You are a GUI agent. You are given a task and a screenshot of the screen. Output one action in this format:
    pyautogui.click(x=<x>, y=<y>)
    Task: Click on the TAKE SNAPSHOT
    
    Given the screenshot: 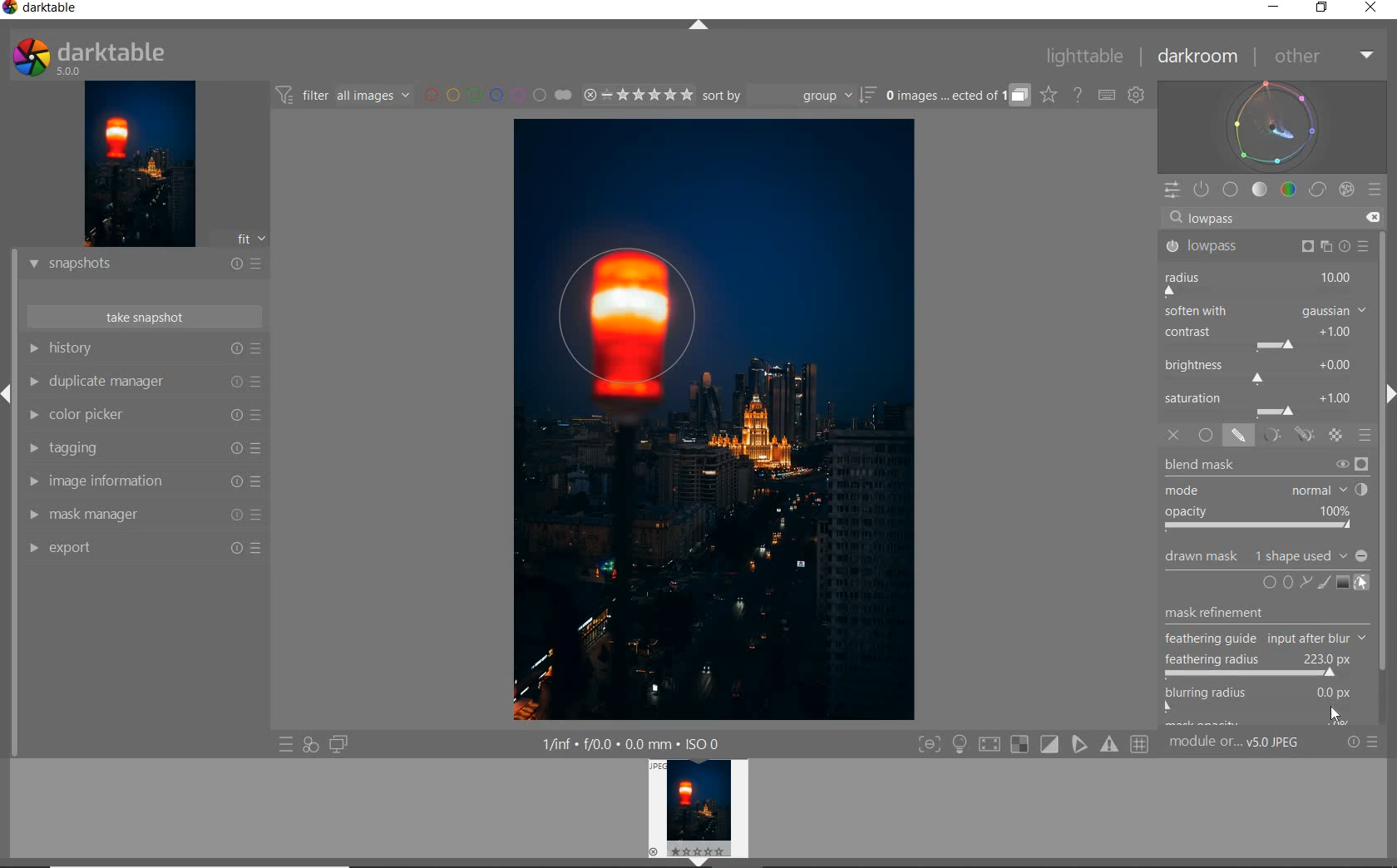 What is the action you would take?
    pyautogui.click(x=143, y=318)
    